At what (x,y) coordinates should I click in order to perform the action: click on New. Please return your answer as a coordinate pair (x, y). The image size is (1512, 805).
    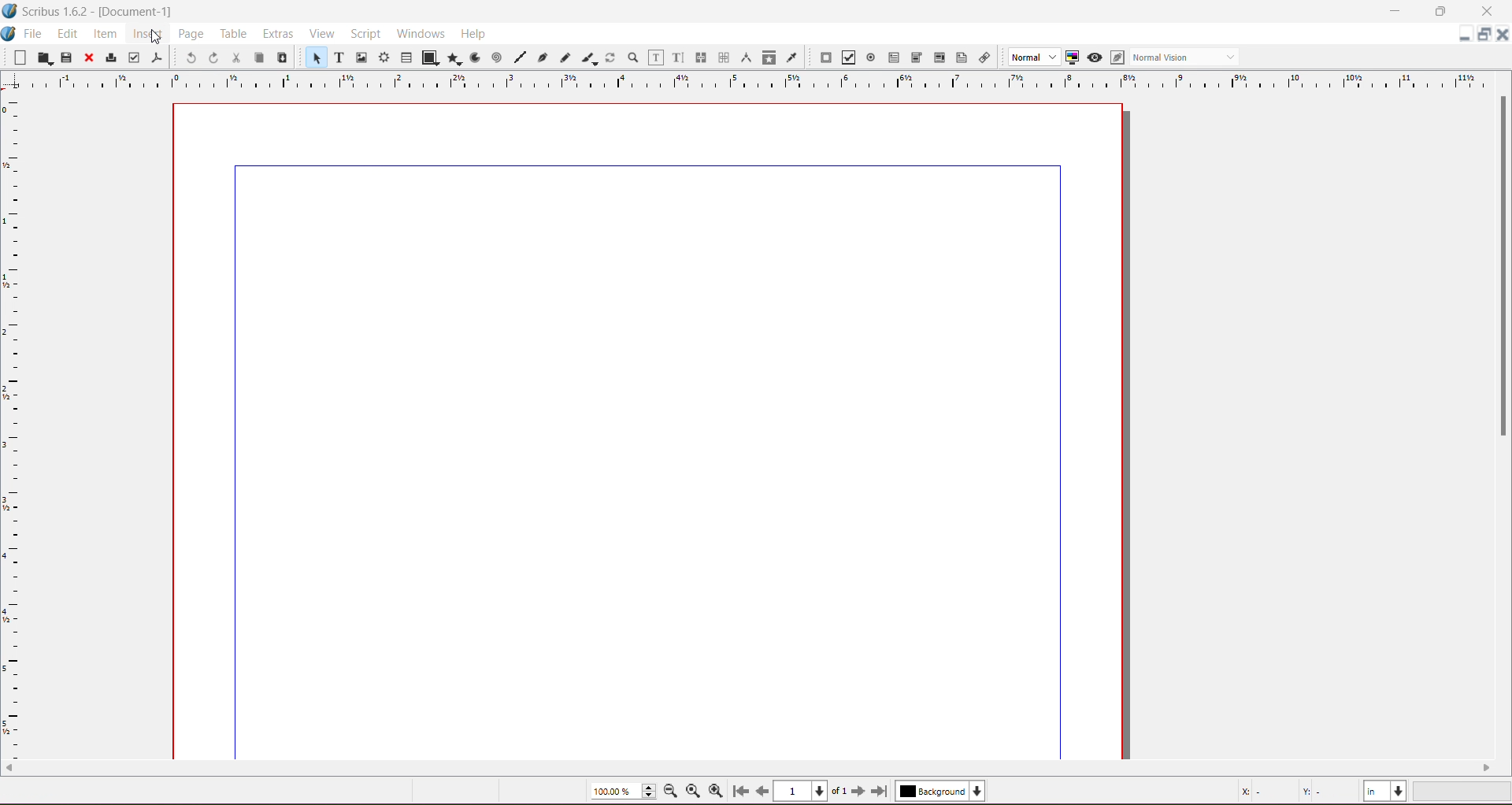
    Looking at the image, I should click on (15, 58).